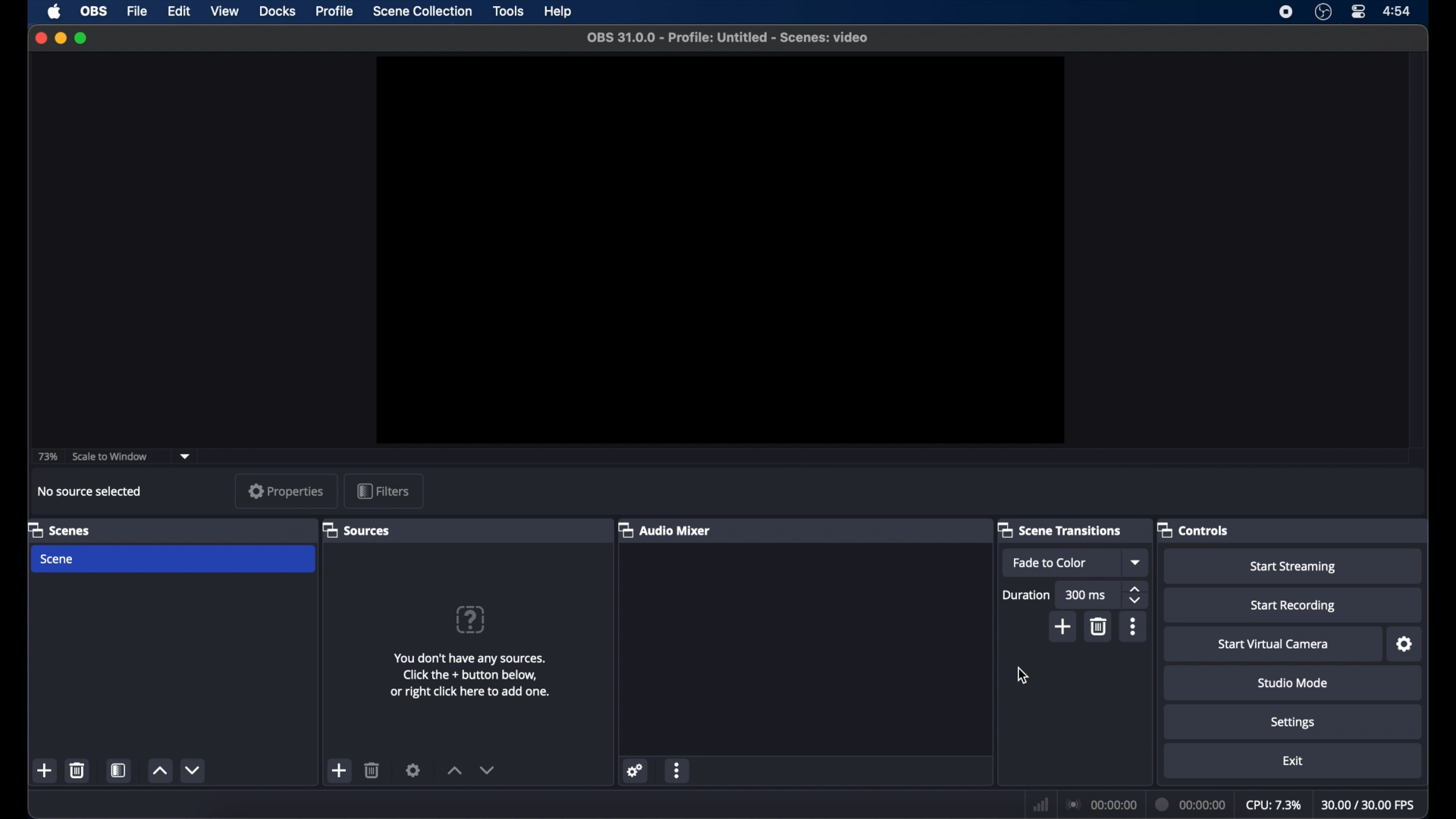 The width and height of the screenshot is (1456, 819). I want to click on add, so click(340, 770).